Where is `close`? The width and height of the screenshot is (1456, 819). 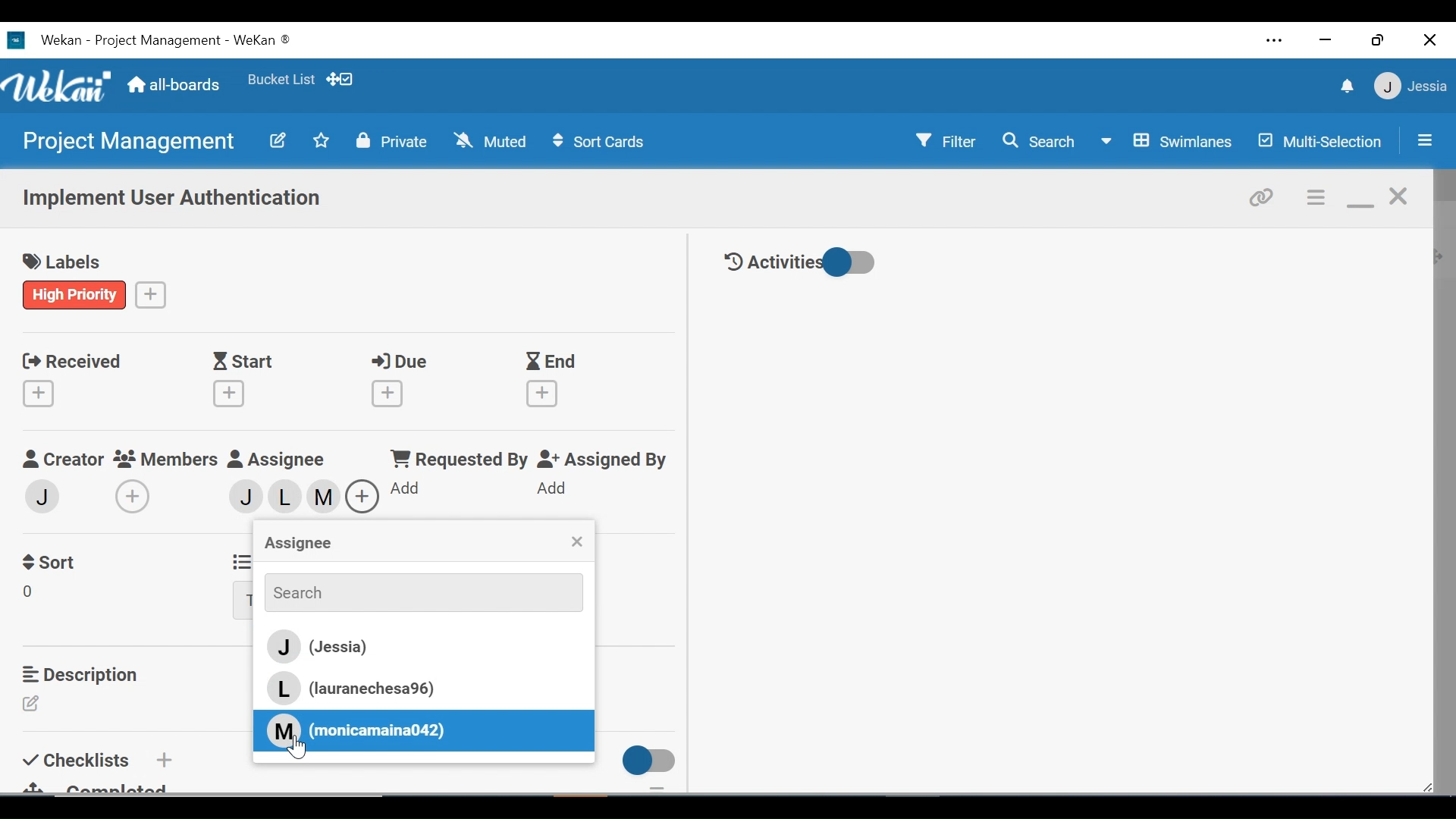
close is located at coordinates (1400, 197).